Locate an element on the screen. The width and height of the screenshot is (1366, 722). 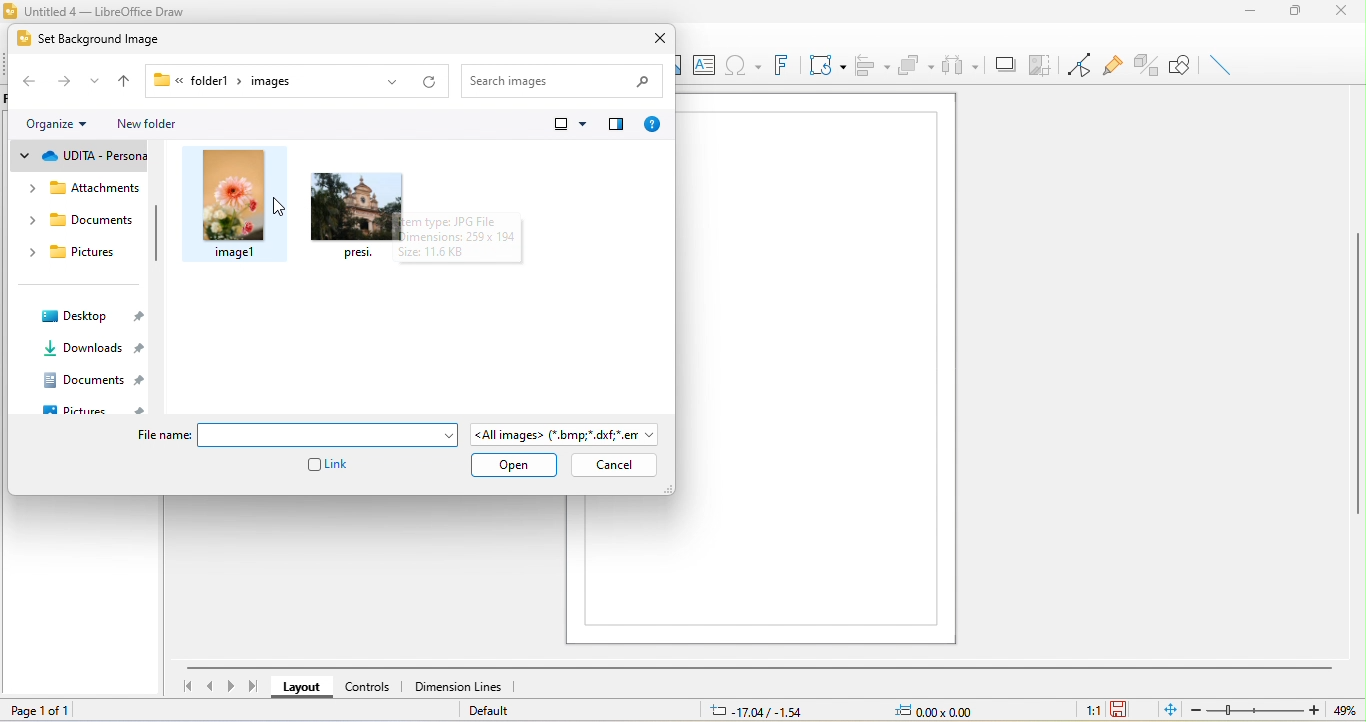
next page is located at coordinates (228, 688).